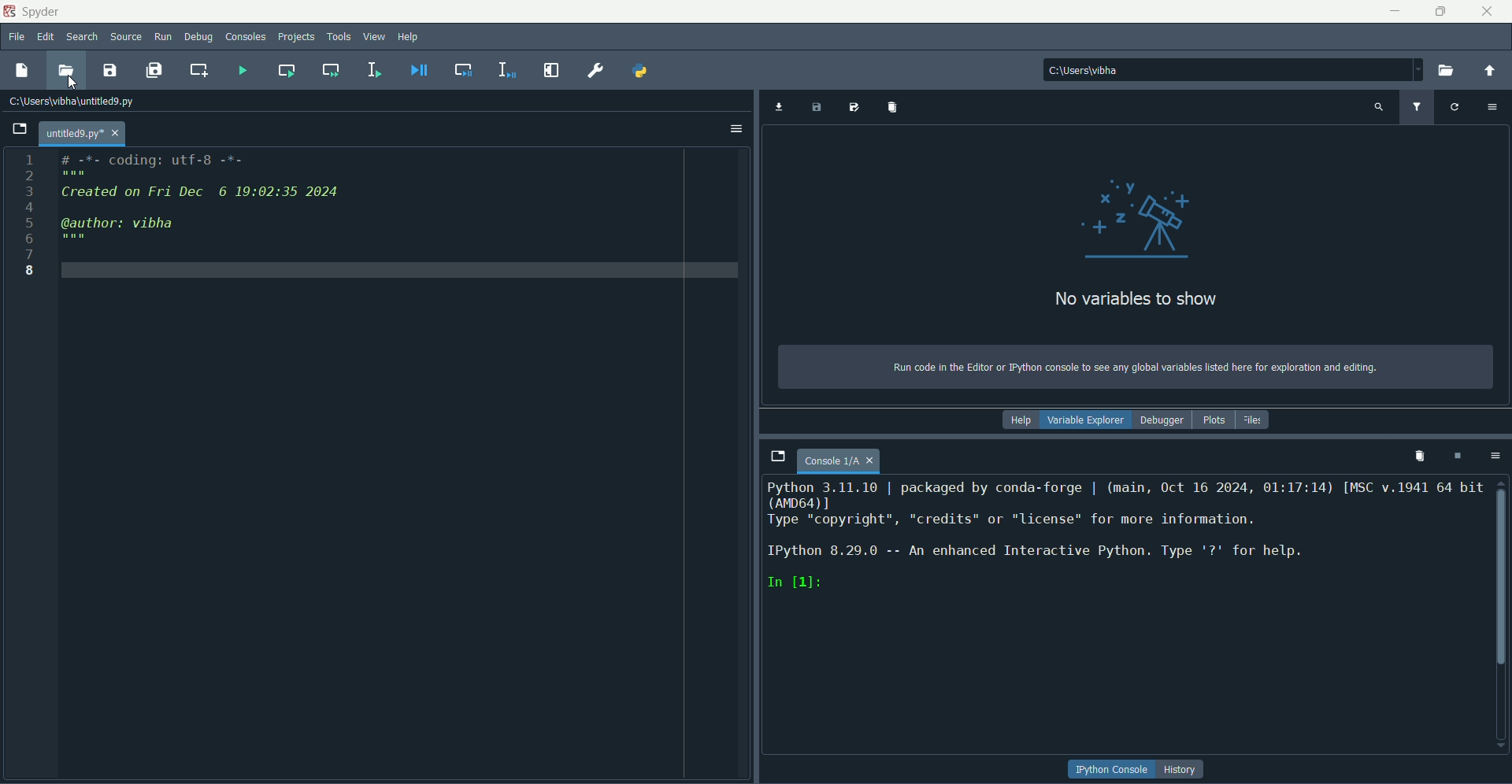 This screenshot has height=784, width=1512. I want to click on history, so click(1184, 770).